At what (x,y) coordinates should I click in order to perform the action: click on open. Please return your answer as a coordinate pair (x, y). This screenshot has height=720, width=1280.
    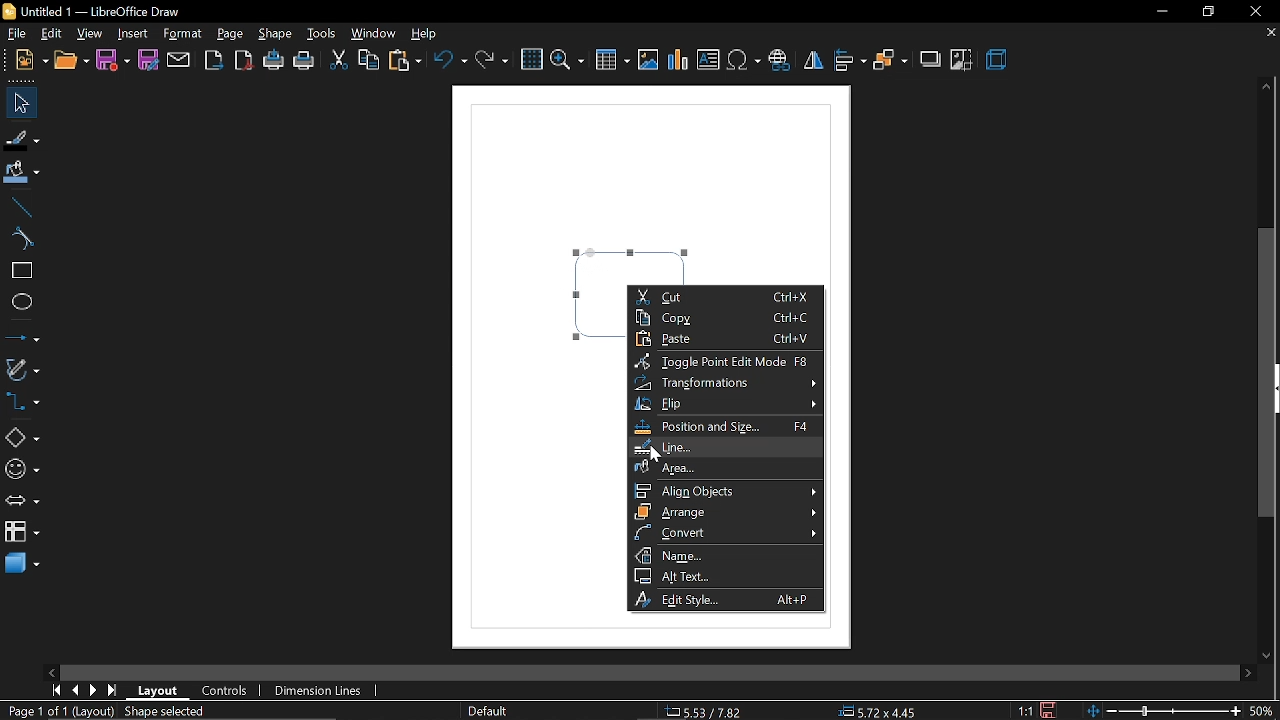
    Looking at the image, I should click on (73, 61).